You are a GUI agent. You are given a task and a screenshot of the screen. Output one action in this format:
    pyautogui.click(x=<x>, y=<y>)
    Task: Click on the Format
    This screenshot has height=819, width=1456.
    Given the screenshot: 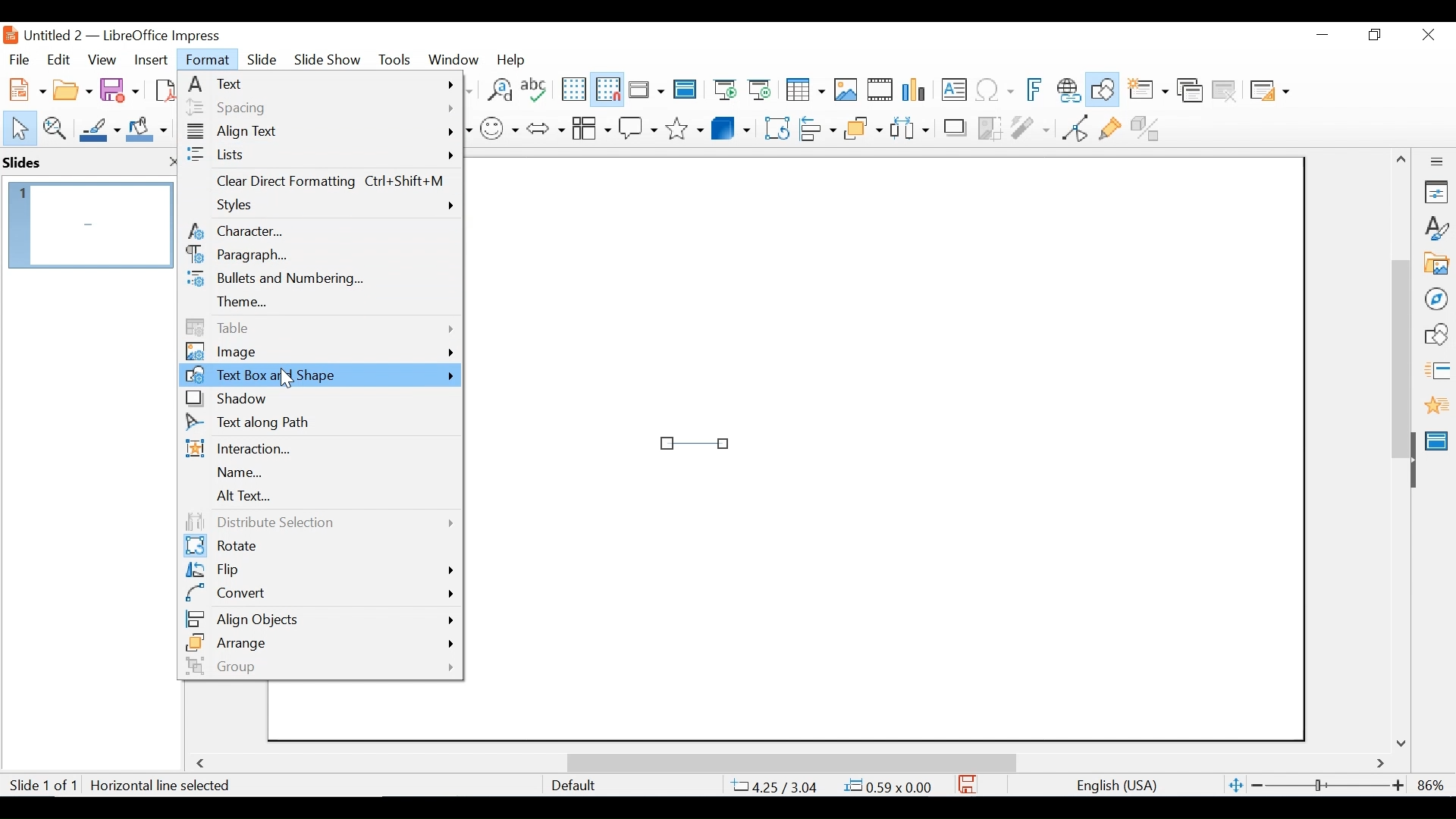 What is the action you would take?
    pyautogui.click(x=209, y=60)
    